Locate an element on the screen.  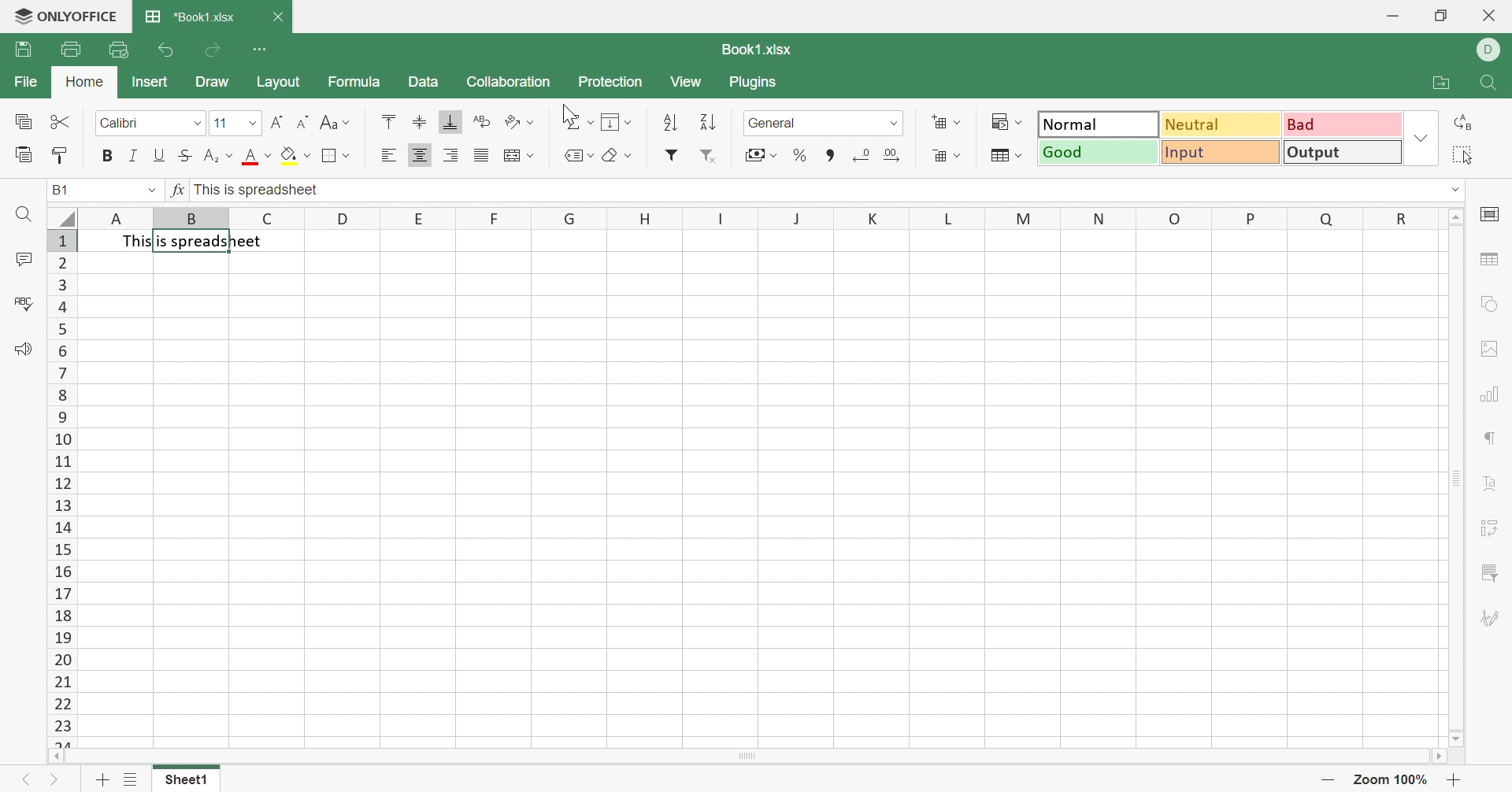
This is spreadsheet is located at coordinates (258, 189).